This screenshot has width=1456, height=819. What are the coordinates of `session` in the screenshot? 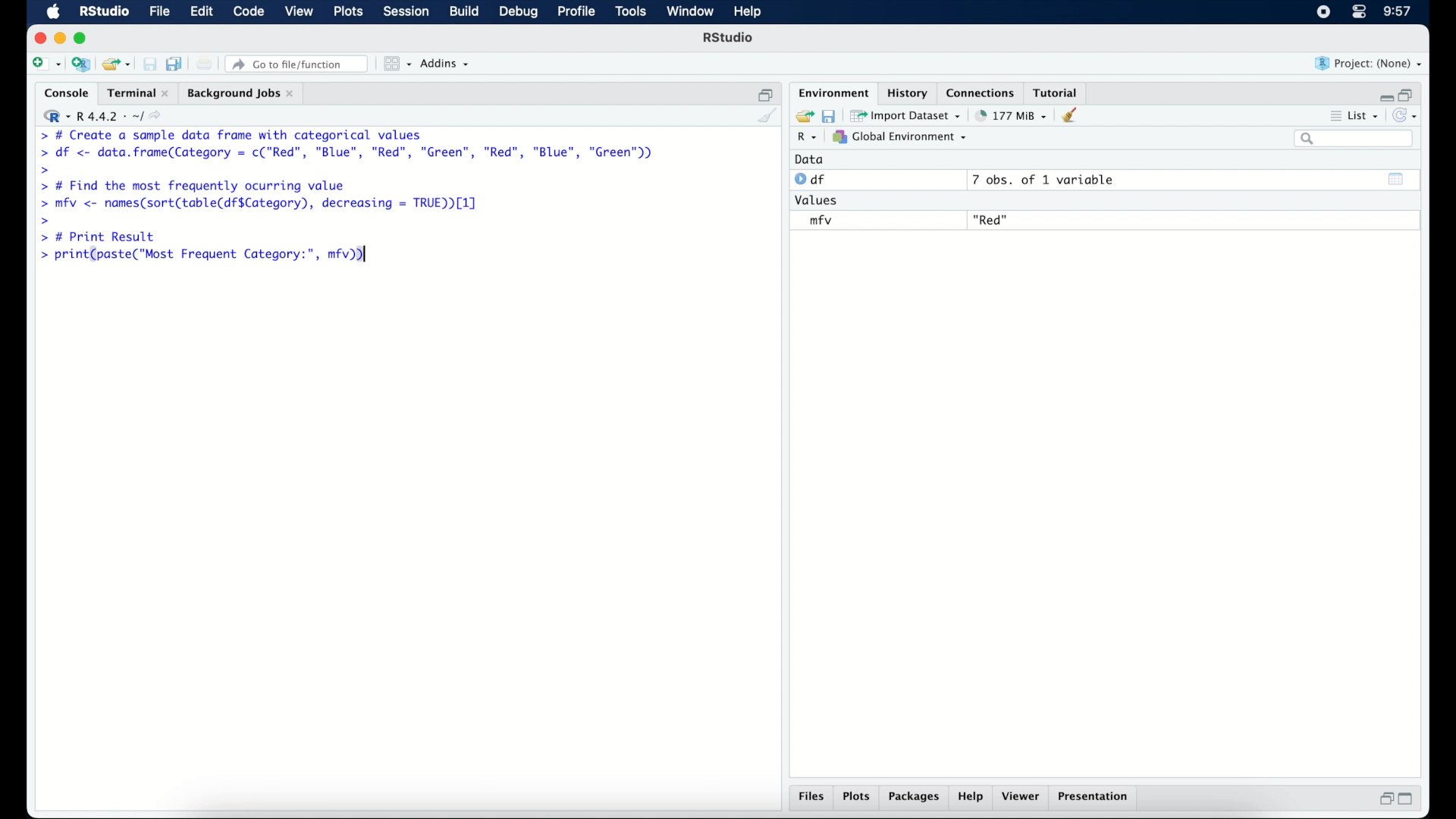 It's located at (406, 12).